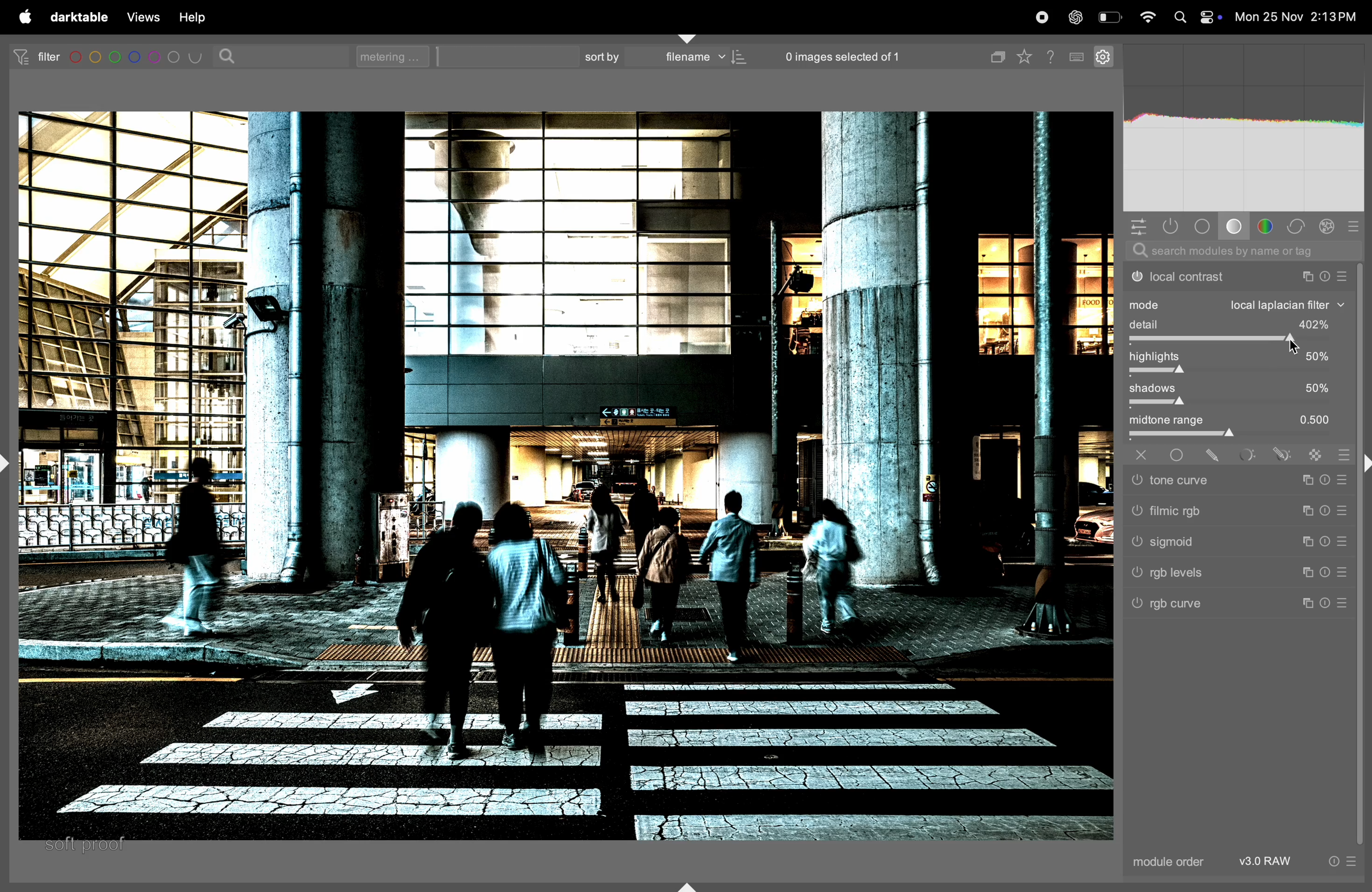  I want to click on preset, so click(1351, 861).